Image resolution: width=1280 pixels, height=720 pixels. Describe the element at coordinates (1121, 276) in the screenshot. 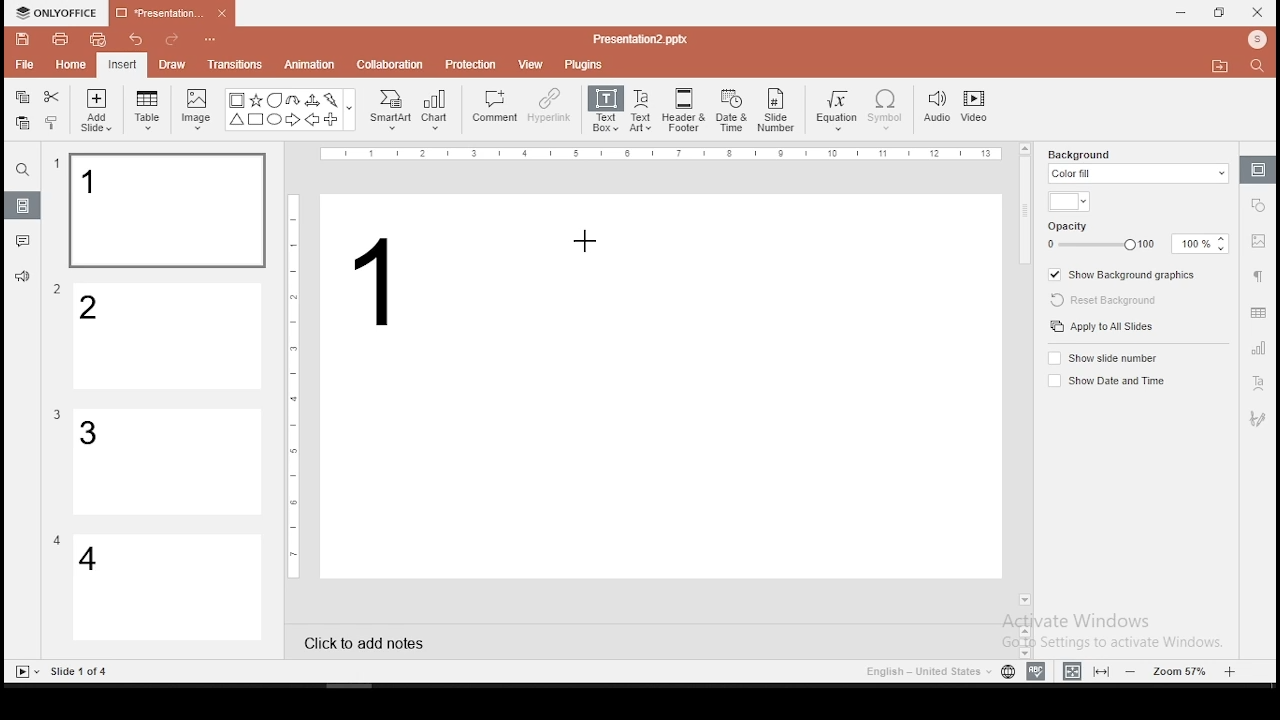

I see `show background graphics on/off` at that location.